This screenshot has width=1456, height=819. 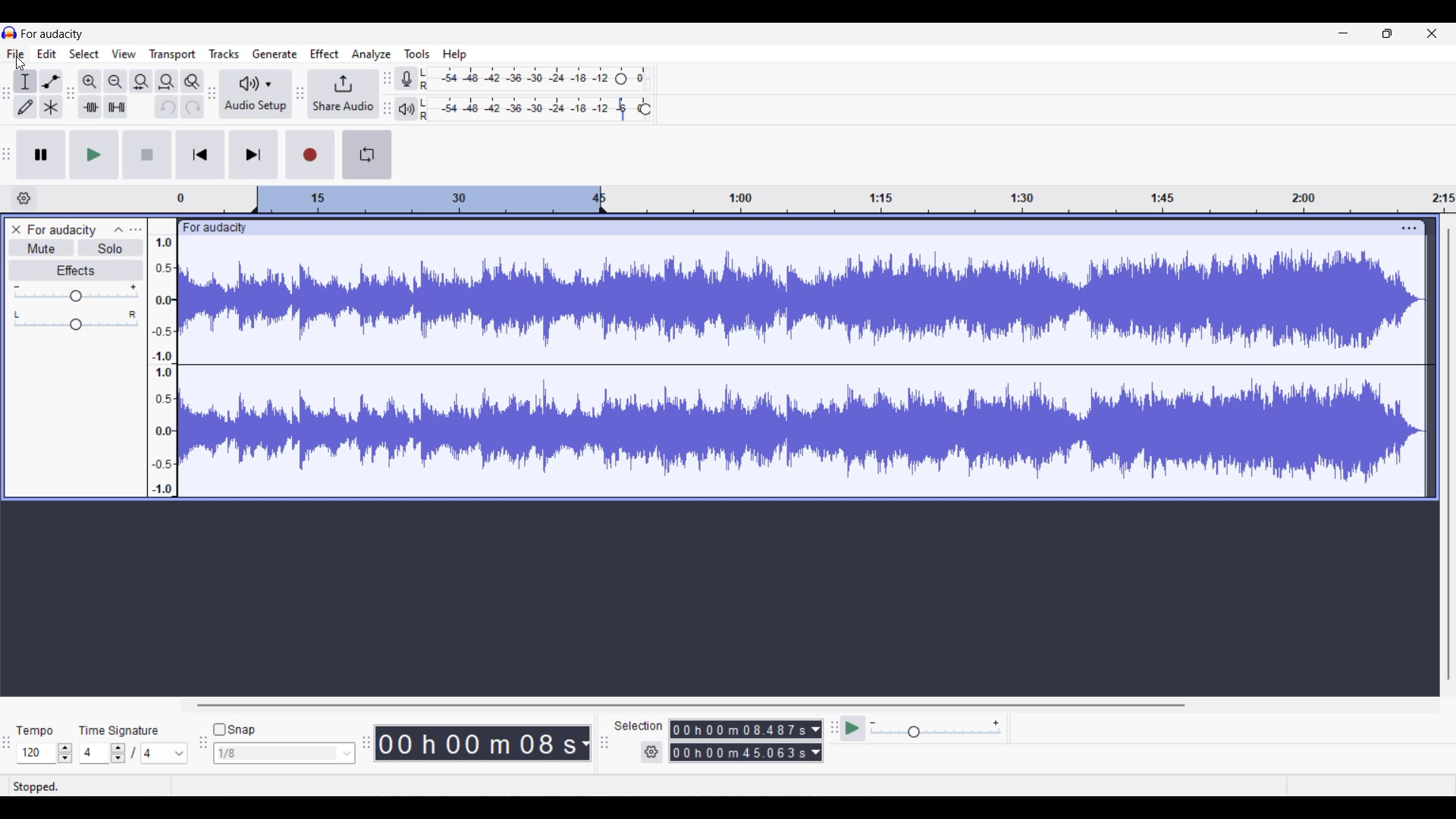 What do you see at coordinates (366, 155) in the screenshot?
I see `Enable looping` at bounding box center [366, 155].